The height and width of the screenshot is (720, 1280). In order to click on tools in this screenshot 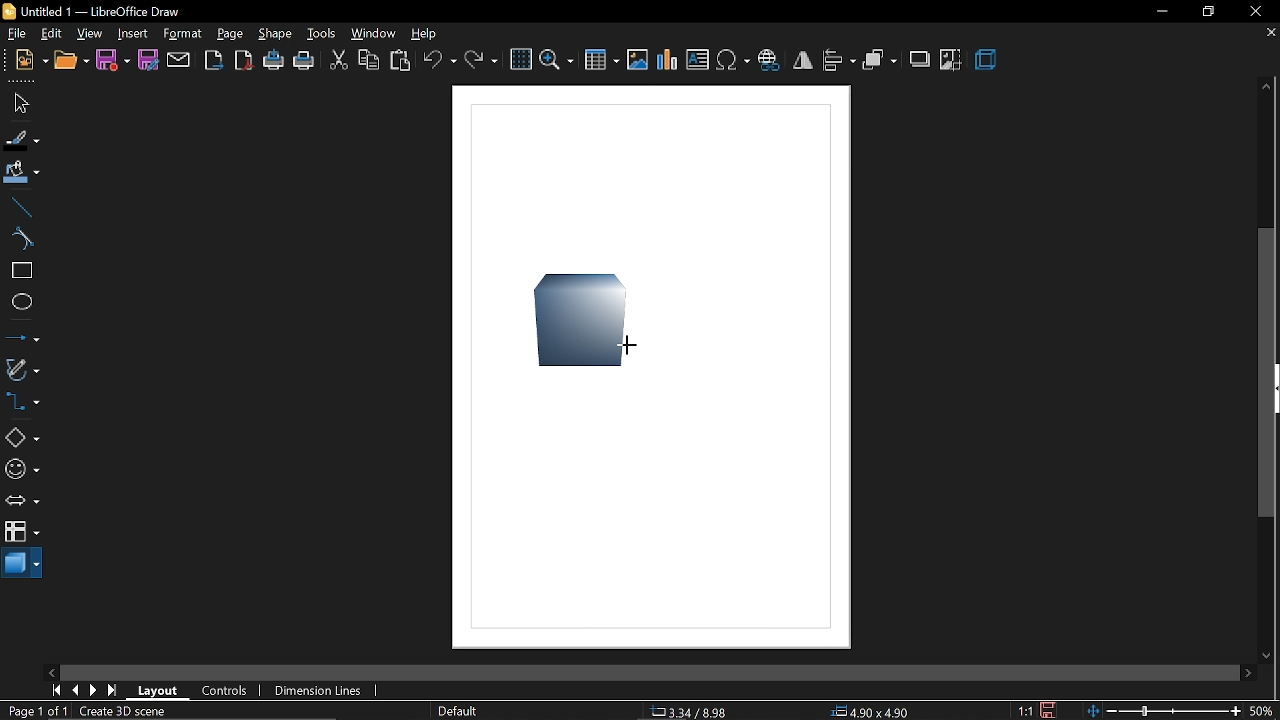, I will do `click(324, 34)`.